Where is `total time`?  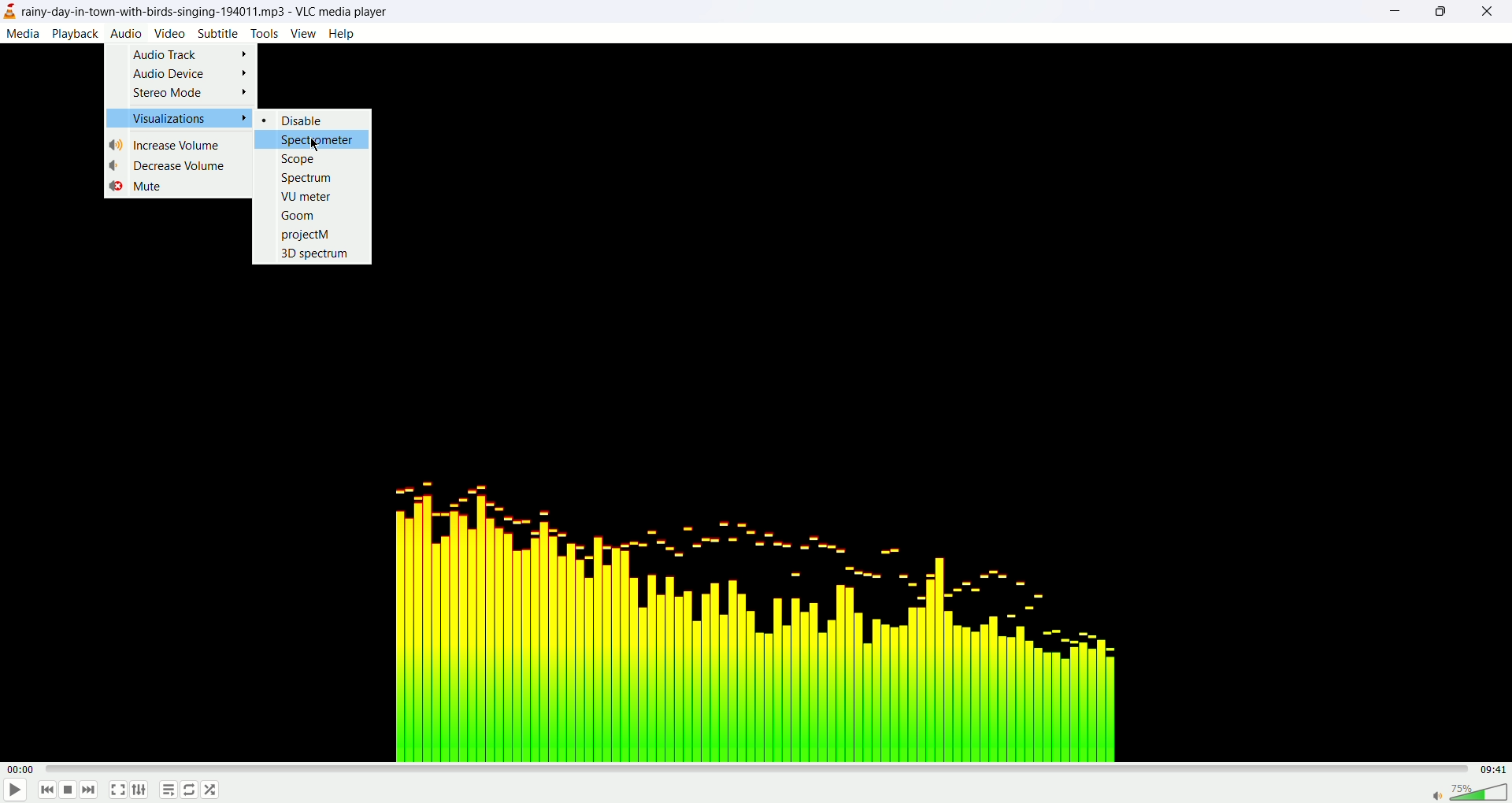 total time is located at coordinates (1494, 768).